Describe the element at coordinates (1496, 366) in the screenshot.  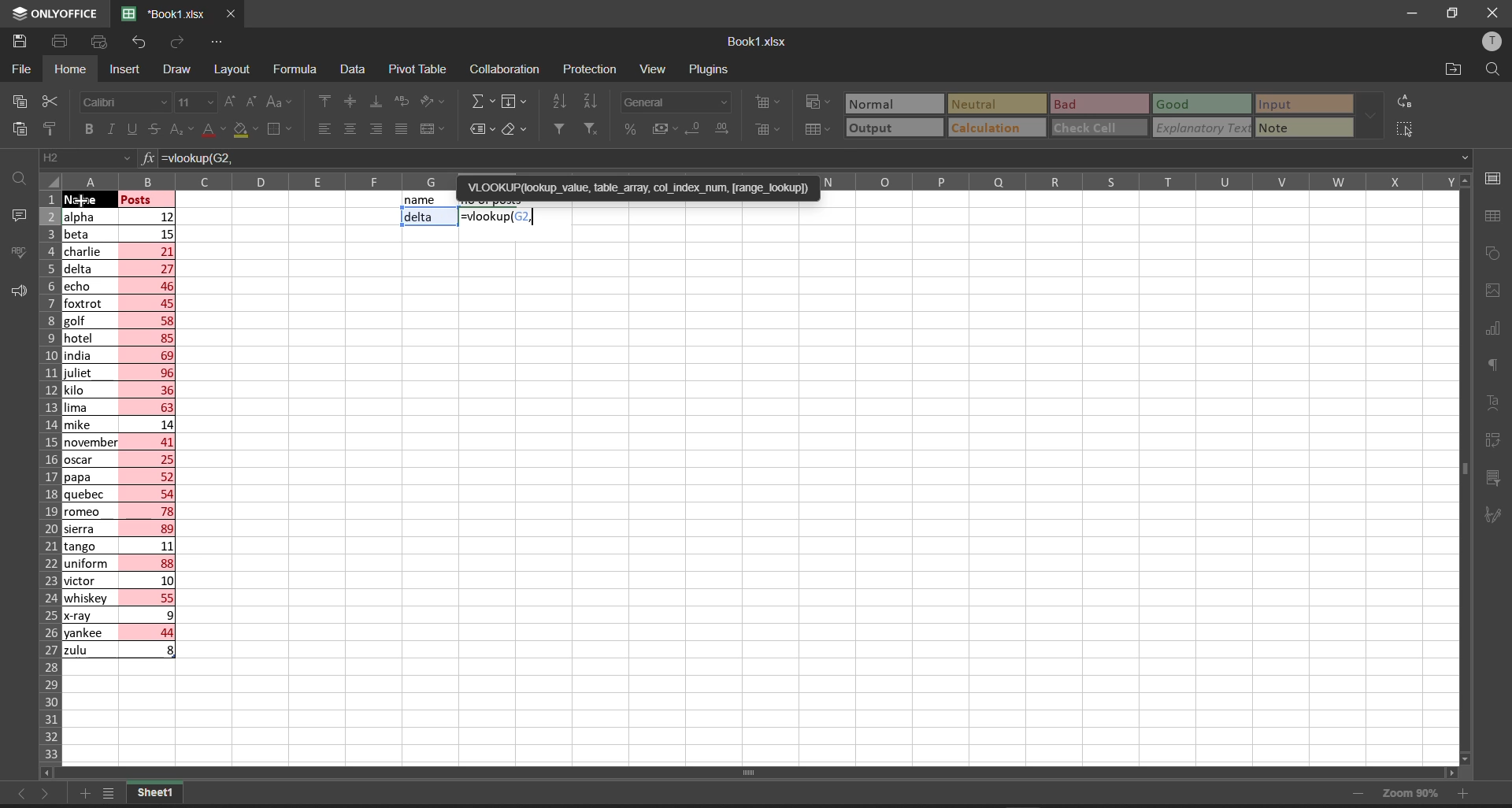
I see `paragraph settings` at that location.